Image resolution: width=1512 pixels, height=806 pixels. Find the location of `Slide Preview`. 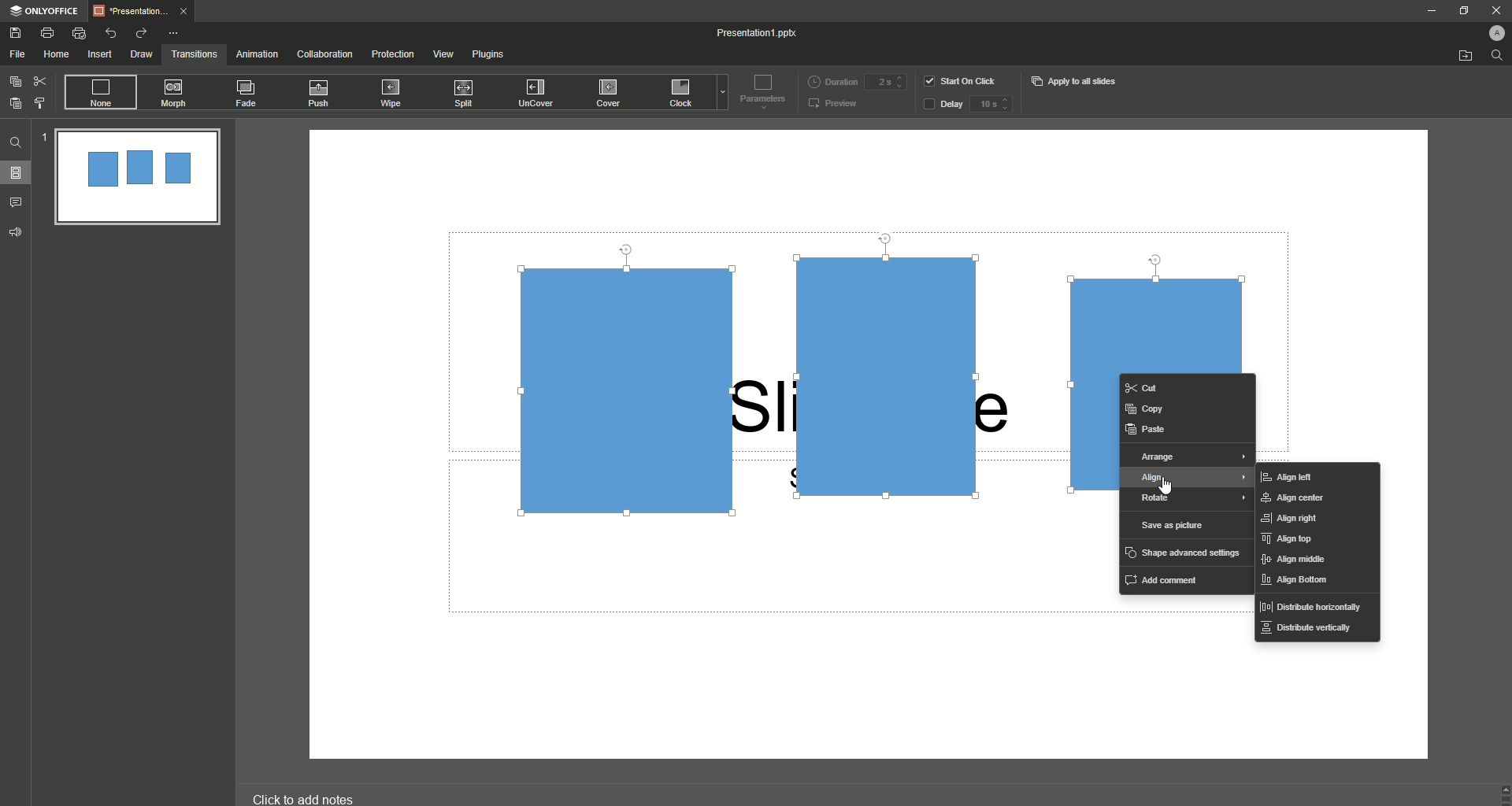

Slide Preview is located at coordinates (137, 179).